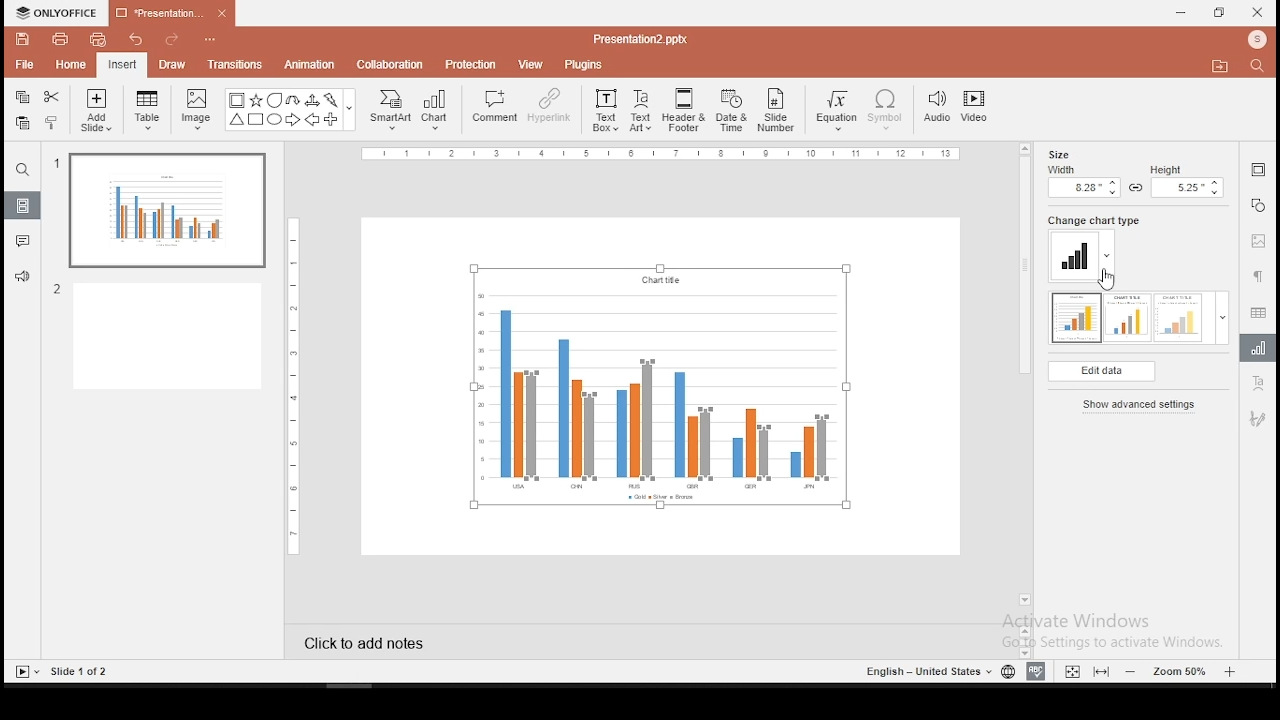 The width and height of the screenshot is (1280, 720). I want to click on art, so click(1257, 420).